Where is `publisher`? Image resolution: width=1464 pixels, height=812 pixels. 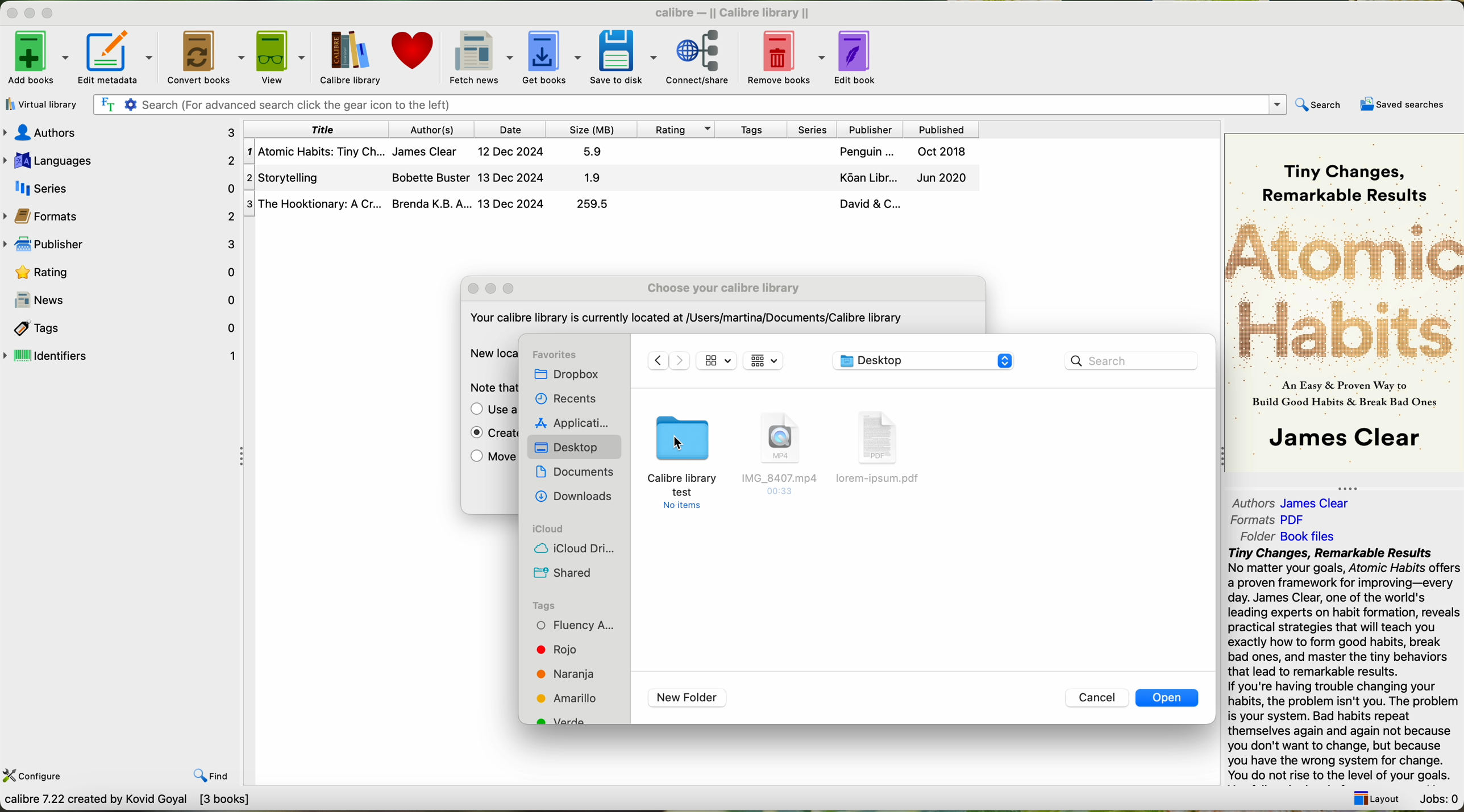 publisher is located at coordinates (868, 129).